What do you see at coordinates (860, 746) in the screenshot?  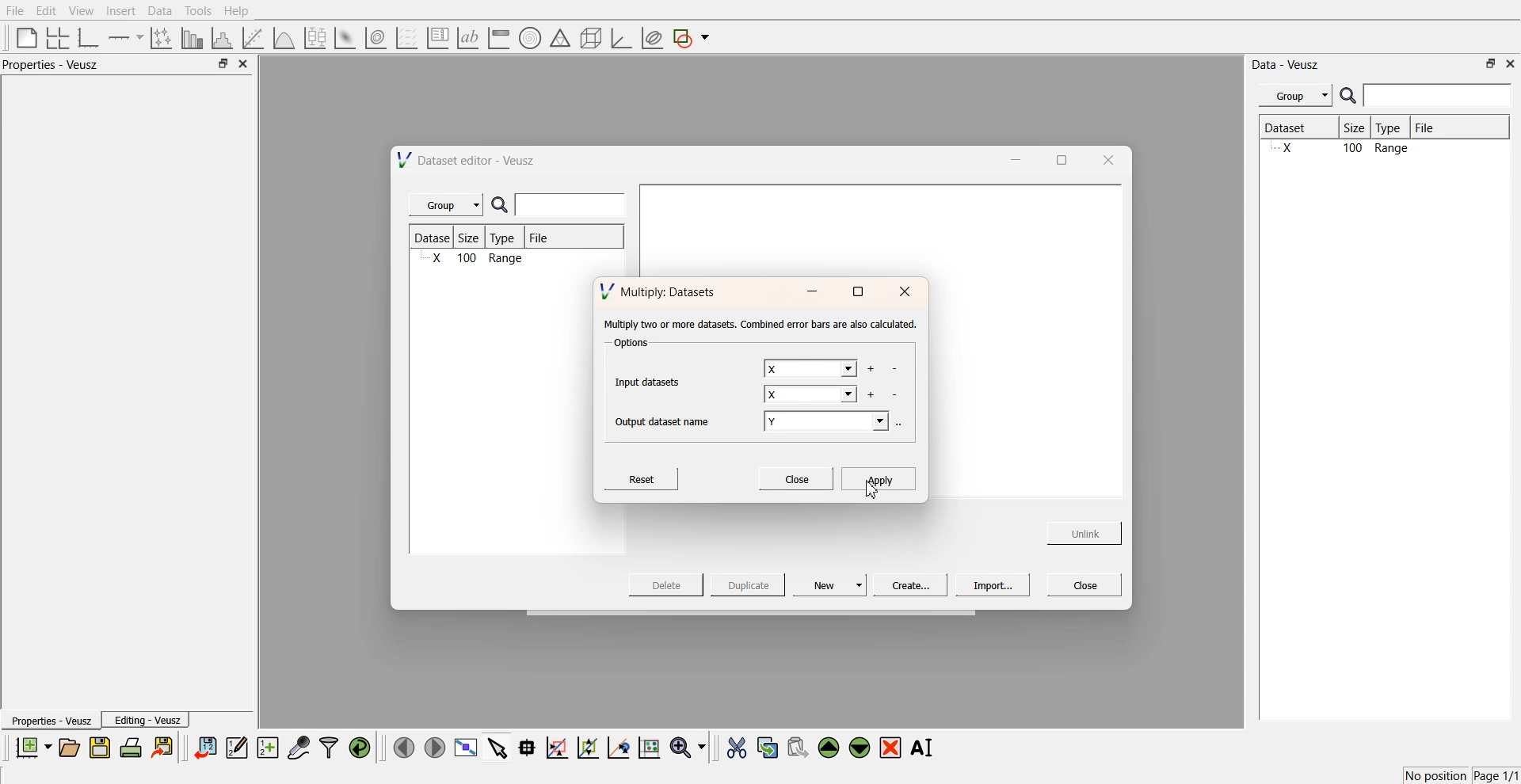 I see `move  the selected widgets down` at bounding box center [860, 746].